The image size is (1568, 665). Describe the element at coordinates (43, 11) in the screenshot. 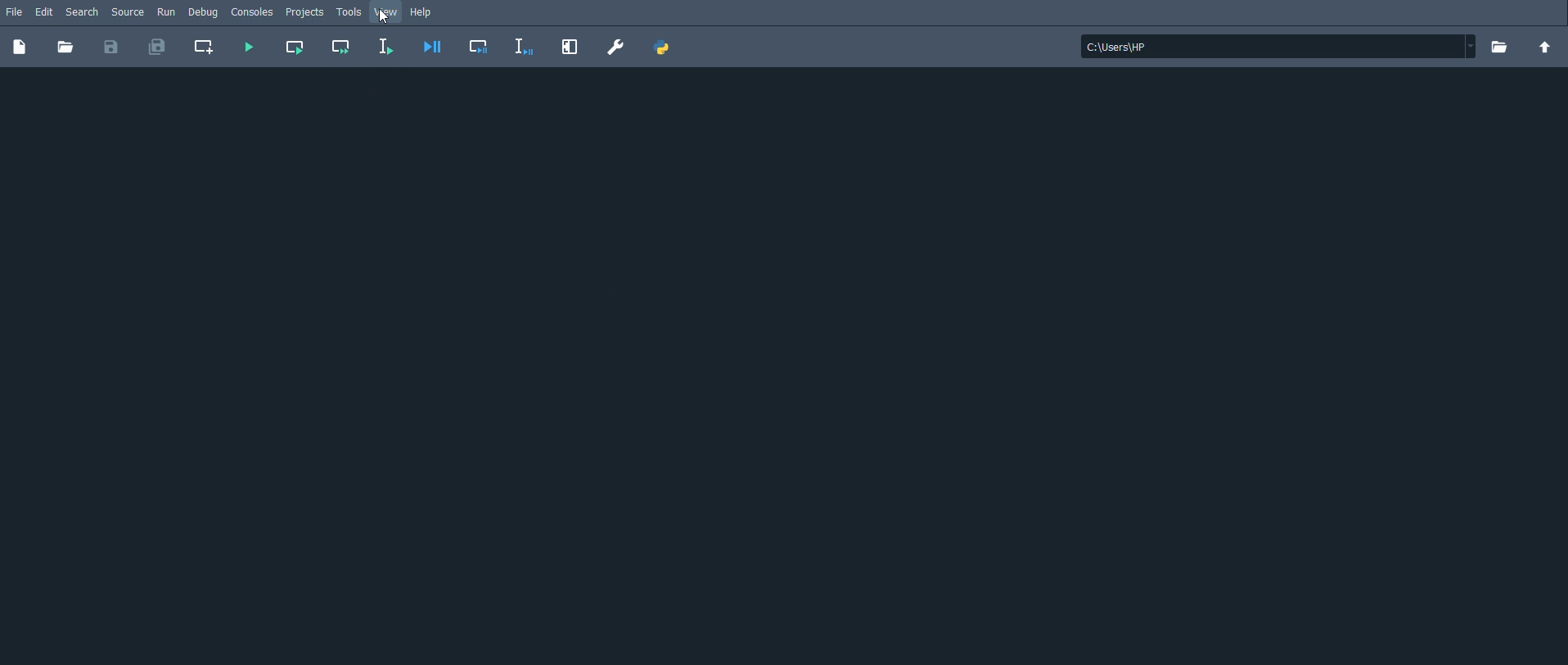

I see `Edit` at that location.